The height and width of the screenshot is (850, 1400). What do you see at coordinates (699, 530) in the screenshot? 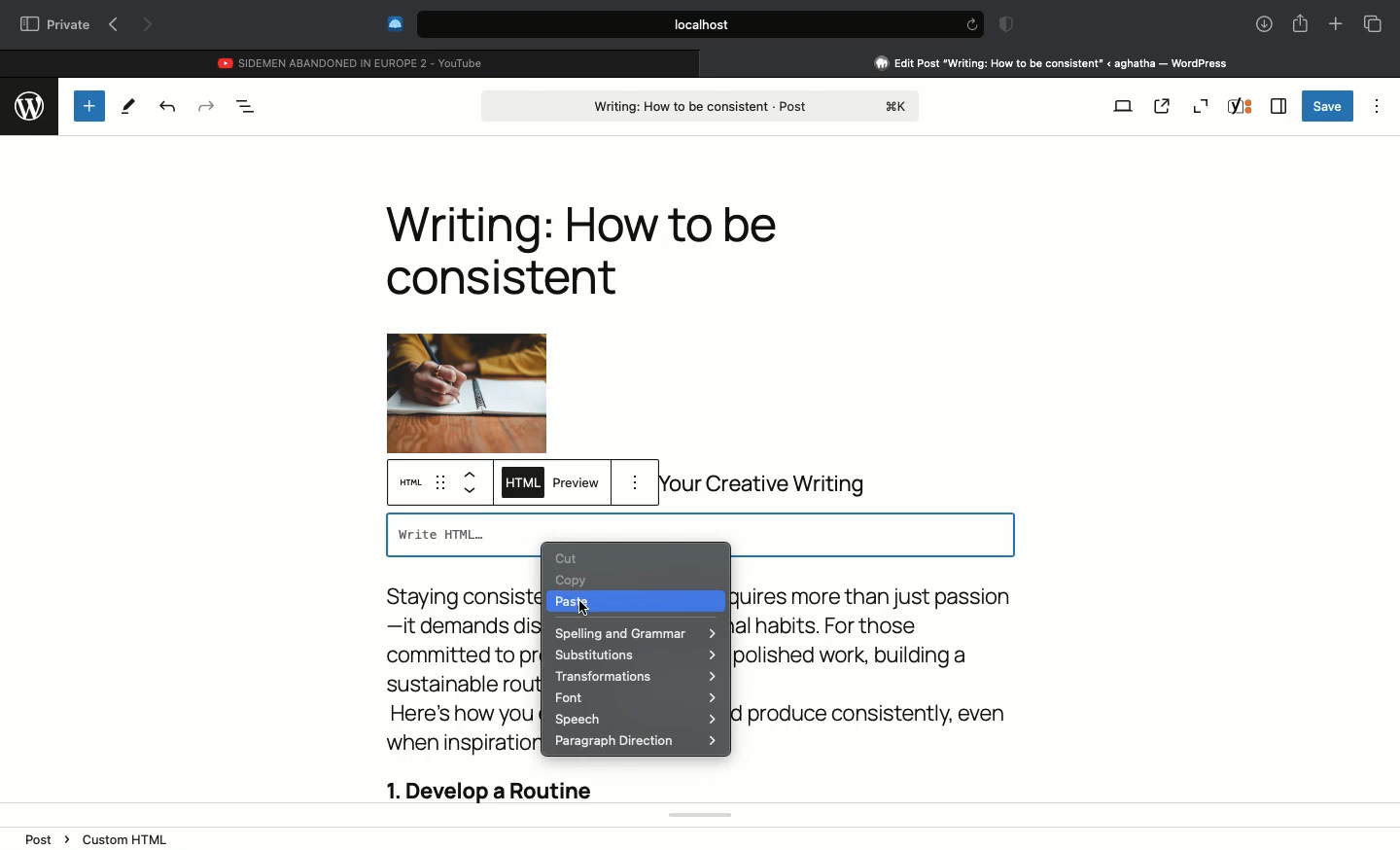
I see `Textbox` at bounding box center [699, 530].